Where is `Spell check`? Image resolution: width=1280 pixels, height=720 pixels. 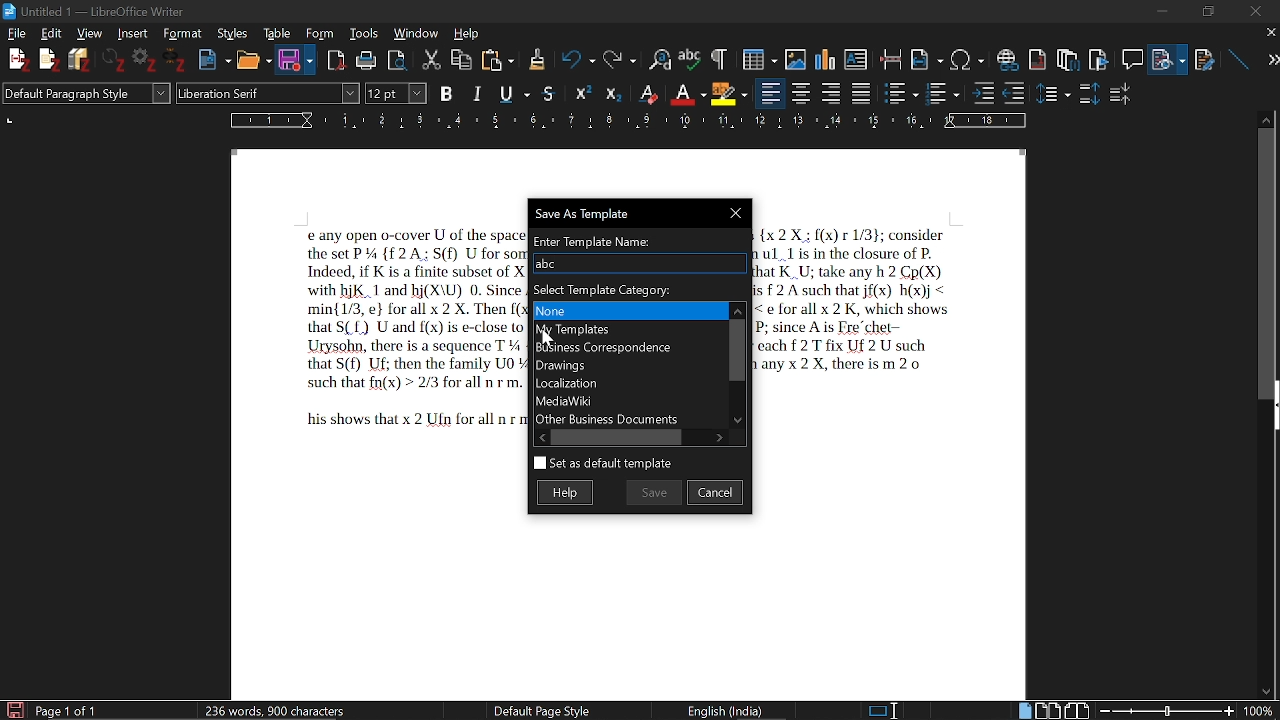 Spell check is located at coordinates (690, 57).